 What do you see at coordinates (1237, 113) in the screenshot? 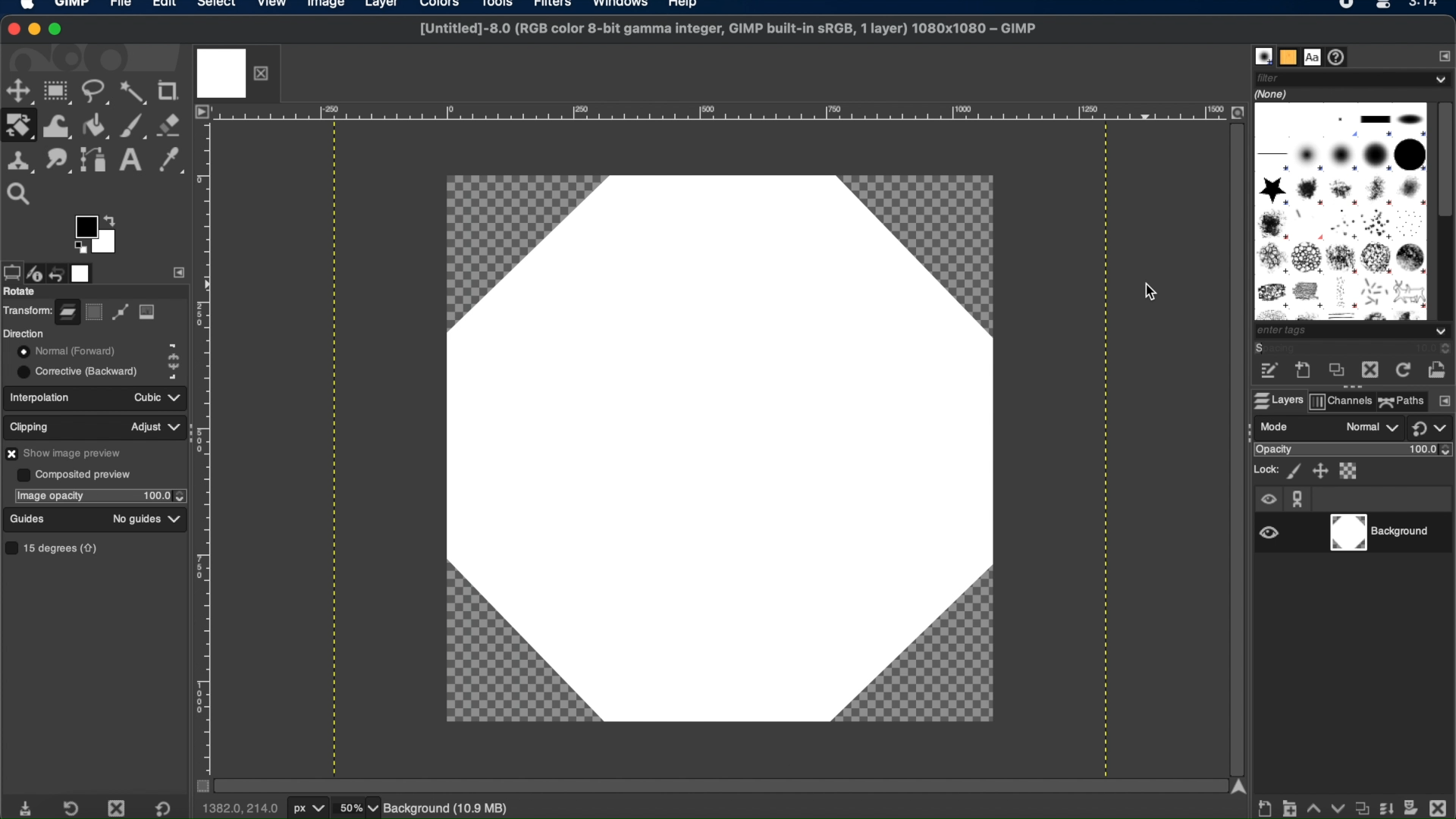
I see `zoom image when window size changes` at bounding box center [1237, 113].